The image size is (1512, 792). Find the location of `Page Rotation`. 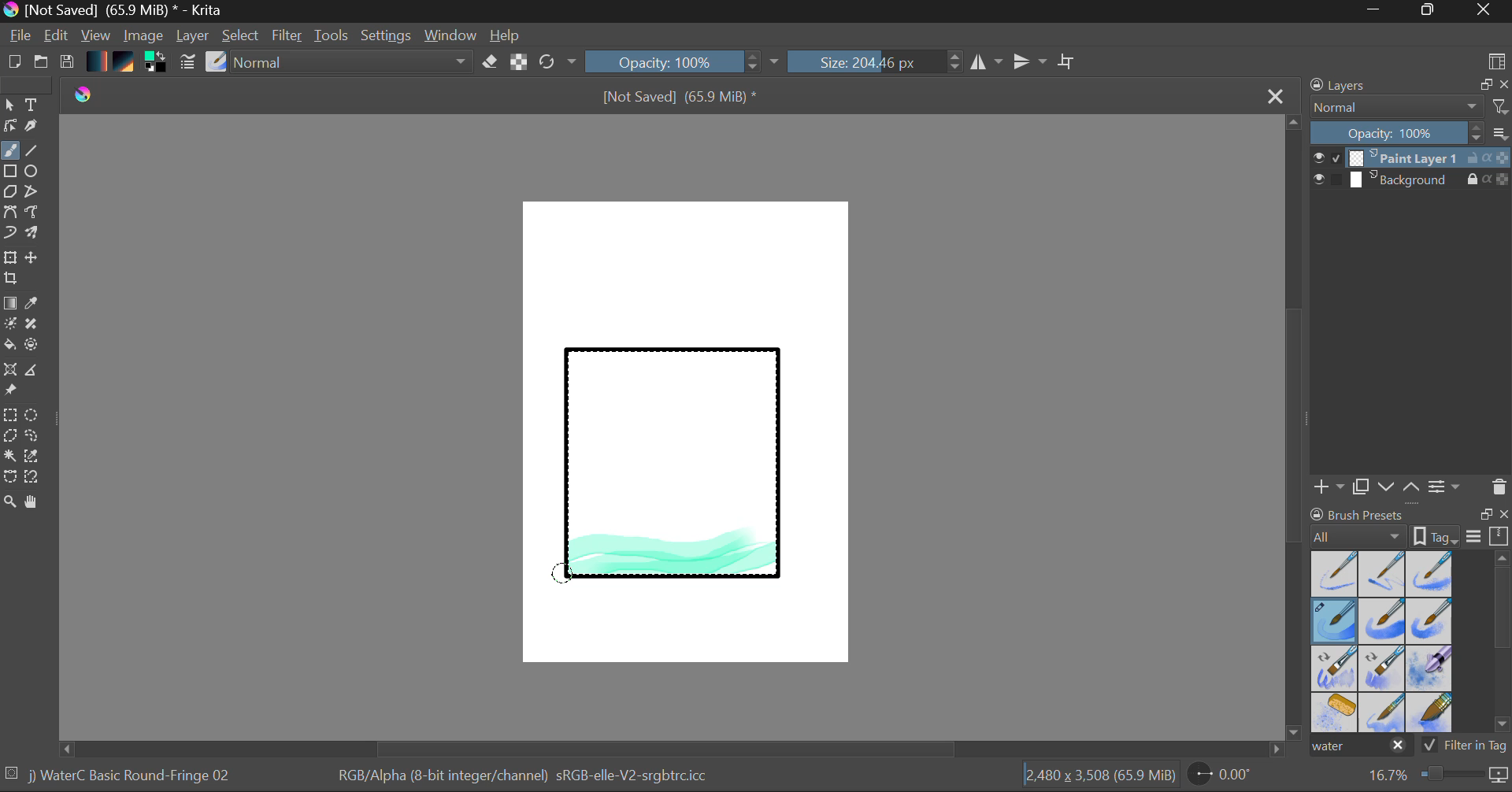

Page Rotation is located at coordinates (1228, 777).